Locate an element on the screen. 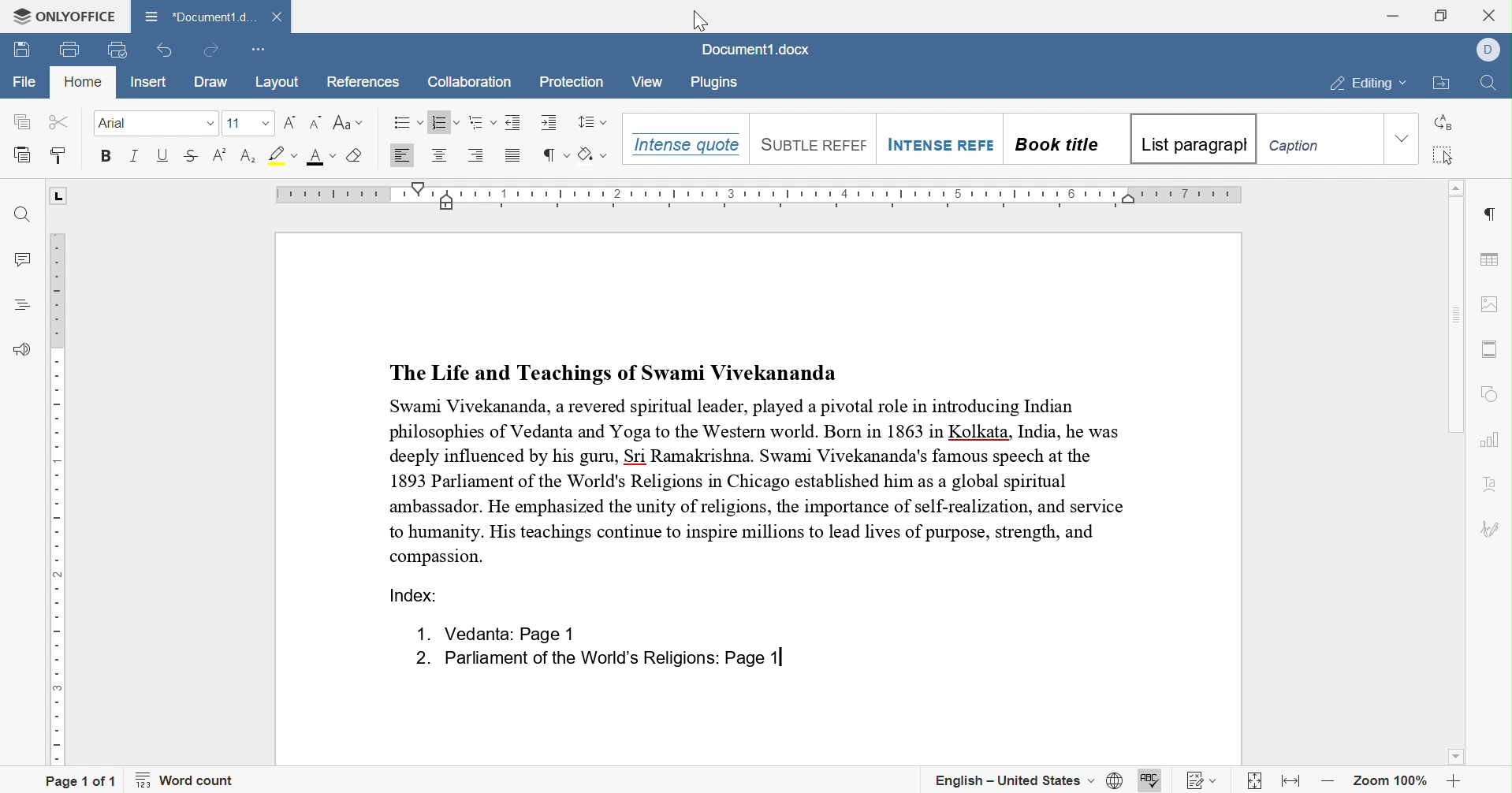 The image size is (1512, 793). intense quote is located at coordinates (686, 141).